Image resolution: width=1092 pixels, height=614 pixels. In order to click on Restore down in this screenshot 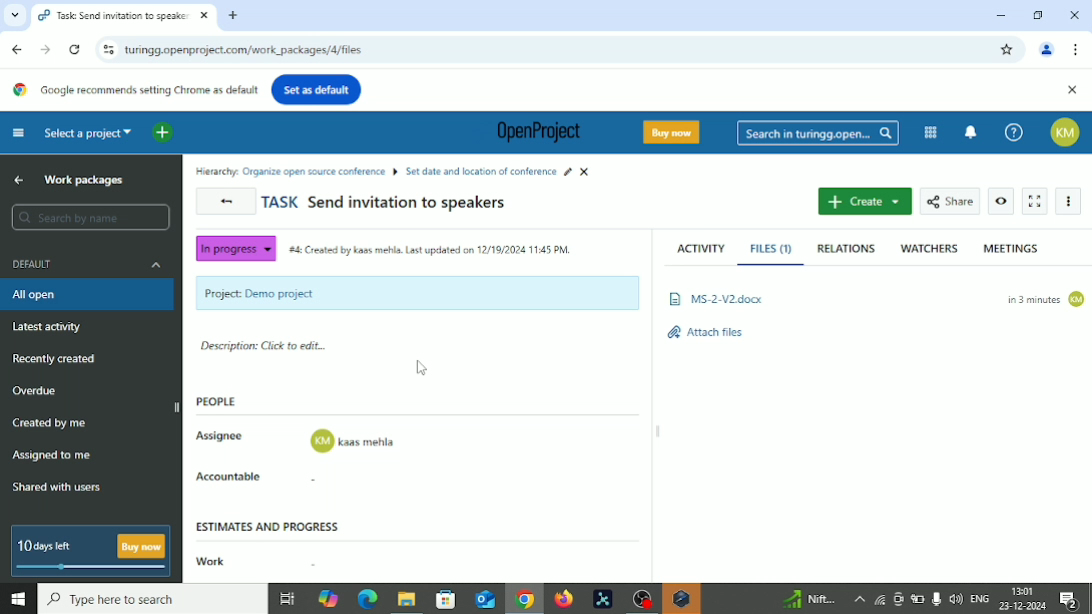, I will do `click(1040, 14)`.